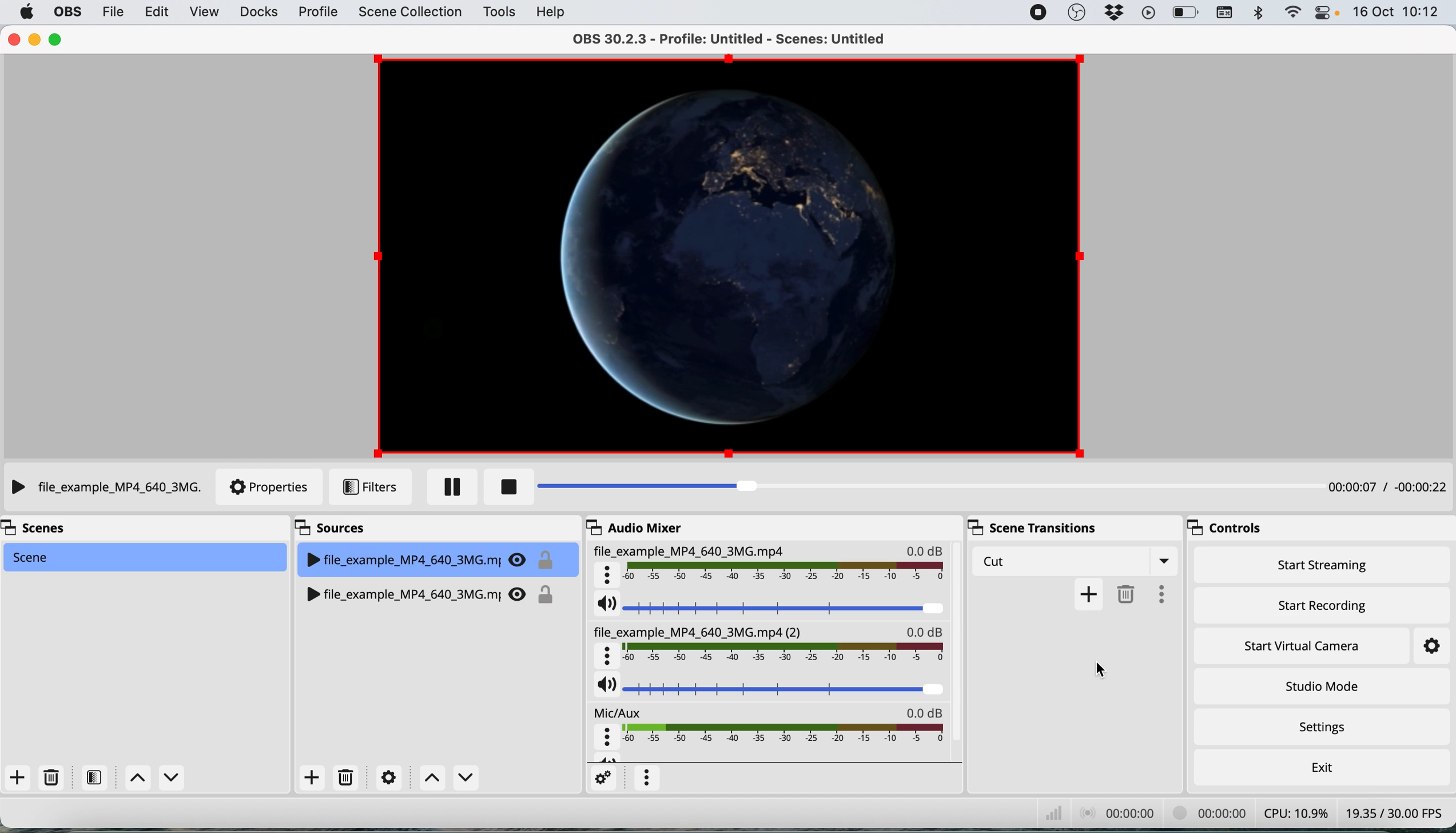 This screenshot has width=1456, height=833. Describe the element at coordinates (1320, 727) in the screenshot. I see `settings` at that location.